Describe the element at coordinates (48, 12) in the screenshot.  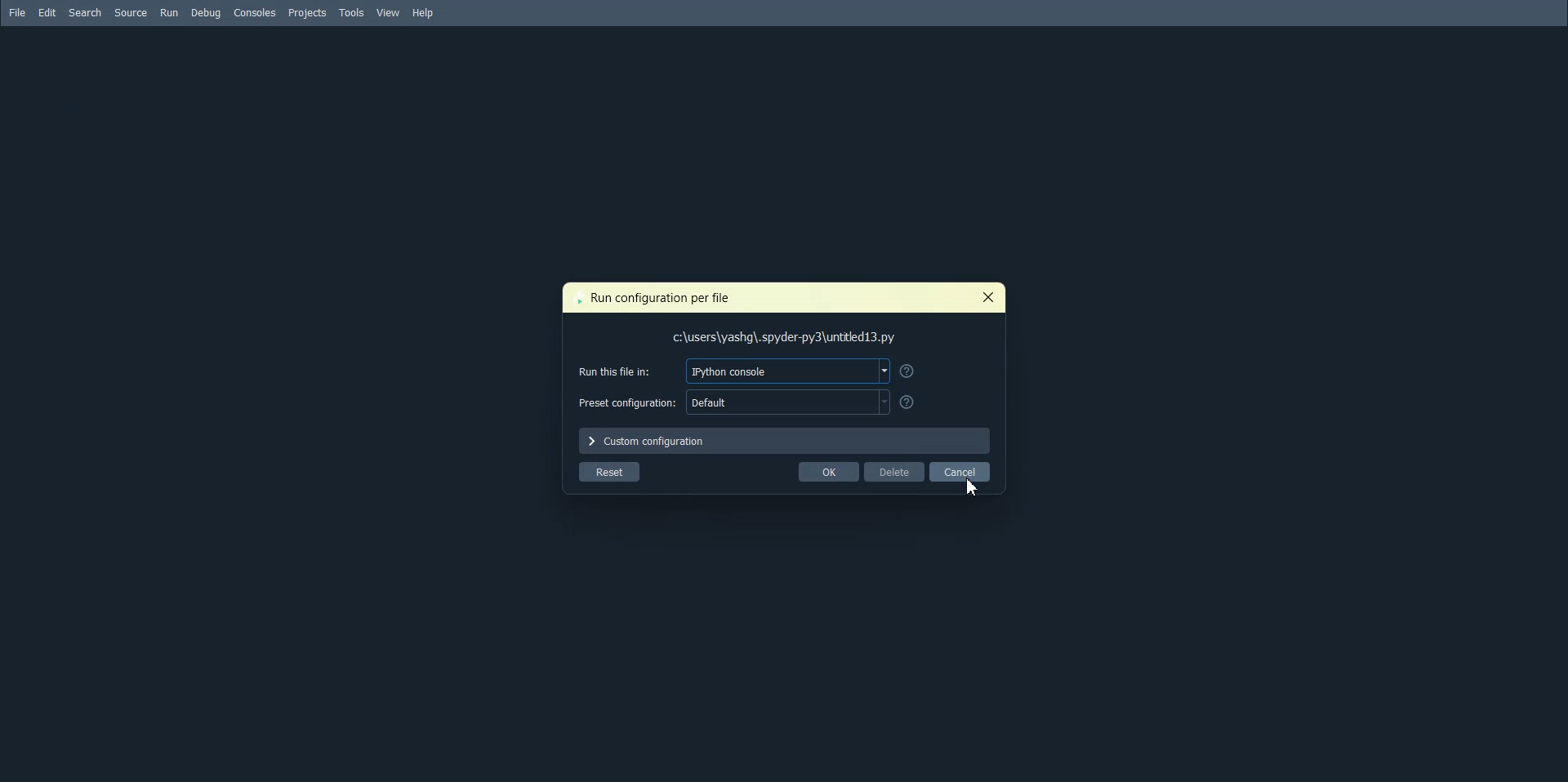
I see `Edit` at that location.